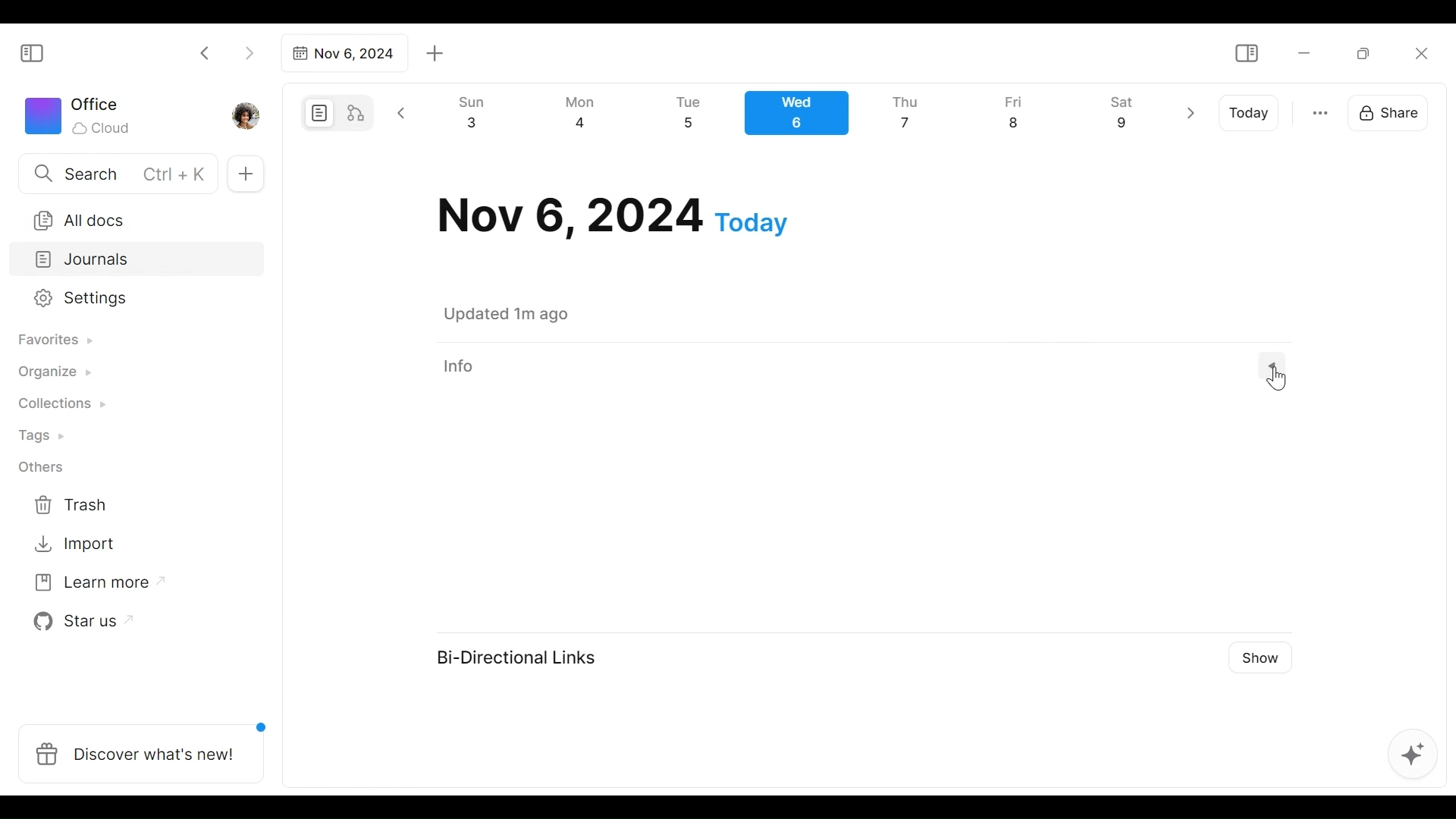 This screenshot has width=1456, height=819. Describe the element at coordinates (1250, 113) in the screenshot. I see `Today` at that location.